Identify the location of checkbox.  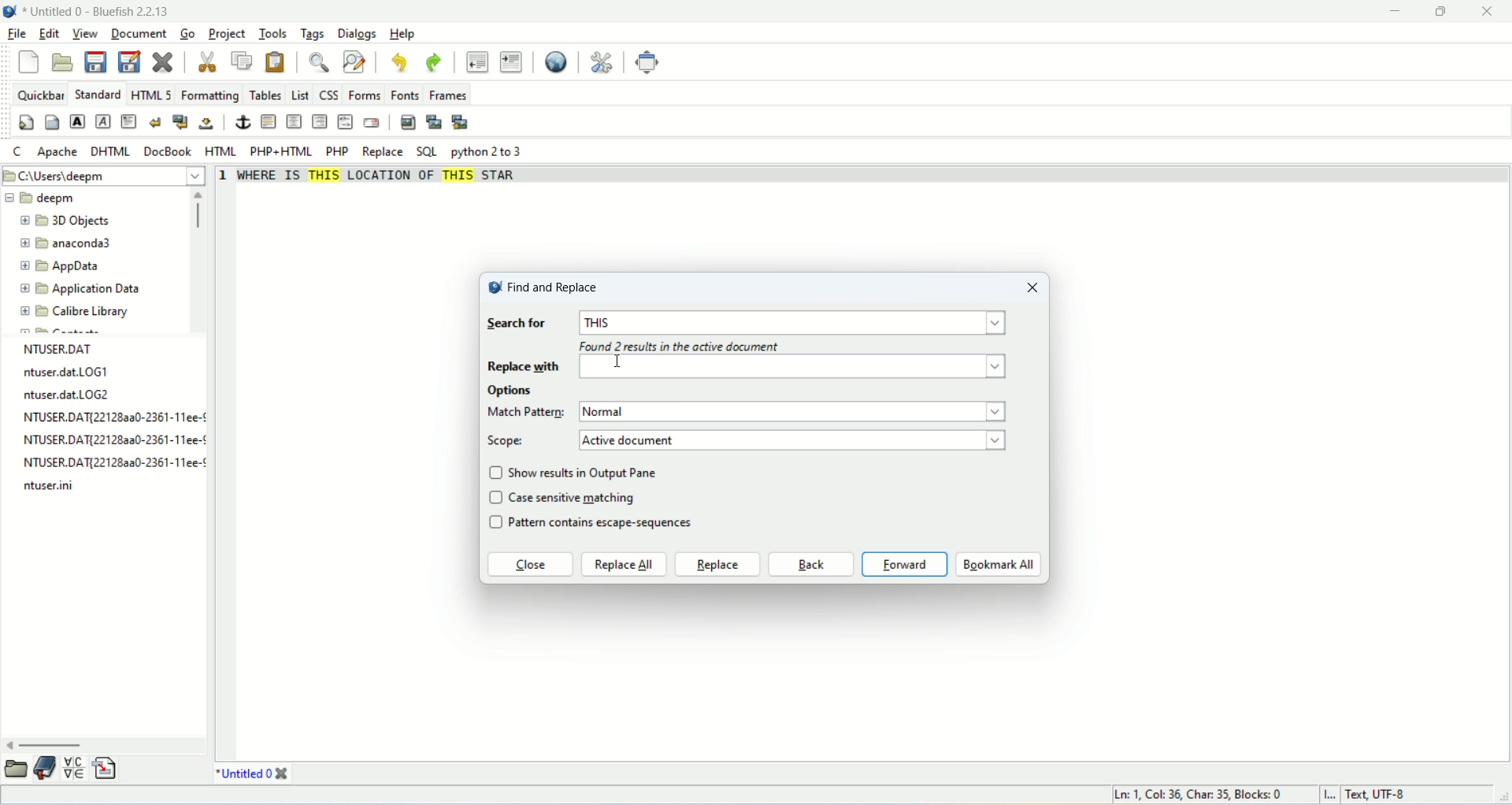
(495, 499).